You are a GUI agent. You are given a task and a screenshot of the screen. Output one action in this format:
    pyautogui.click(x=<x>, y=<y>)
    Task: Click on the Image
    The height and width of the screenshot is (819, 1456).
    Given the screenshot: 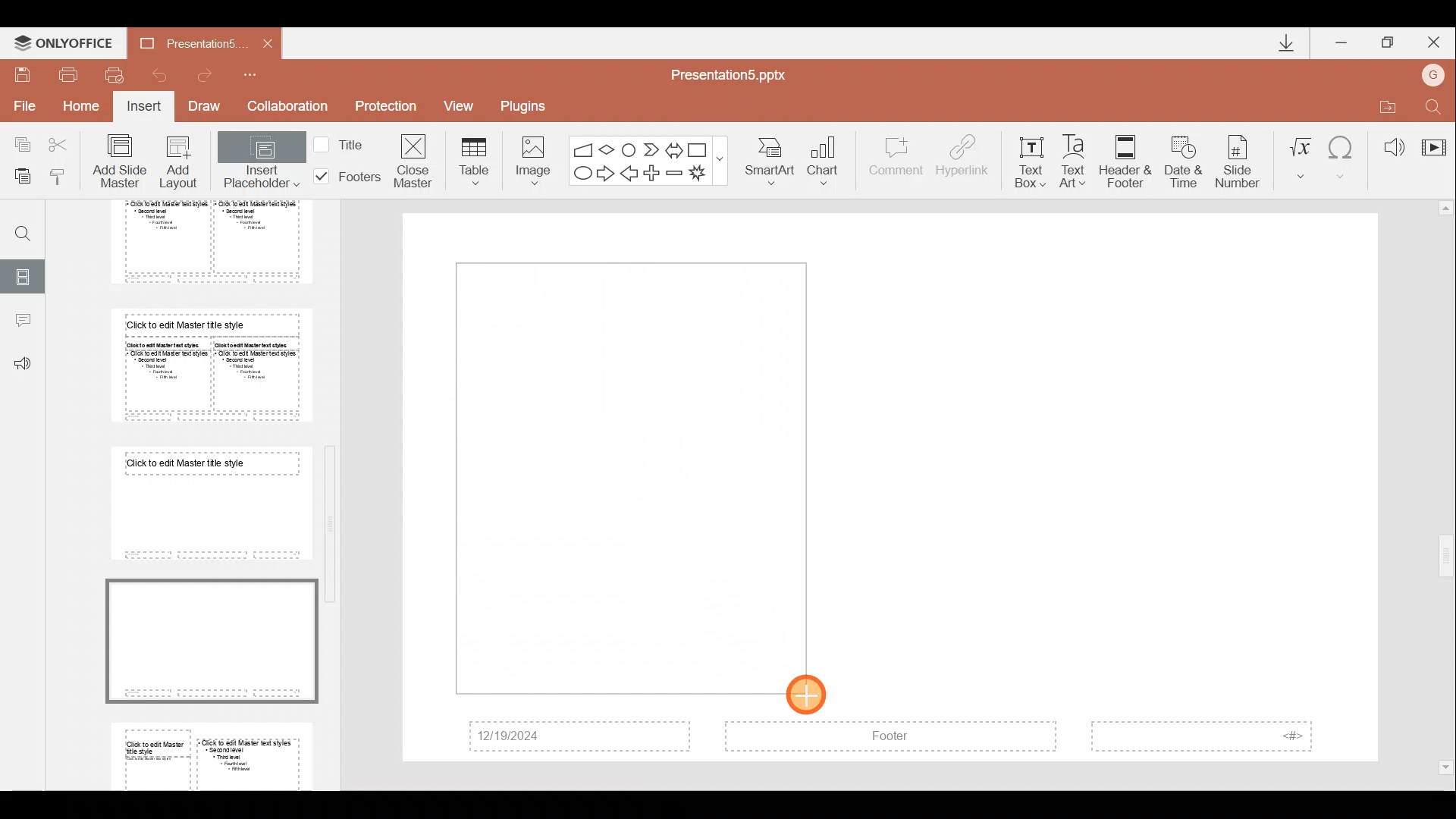 What is the action you would take?
    pyautogui.click(x=529, y=158)
    